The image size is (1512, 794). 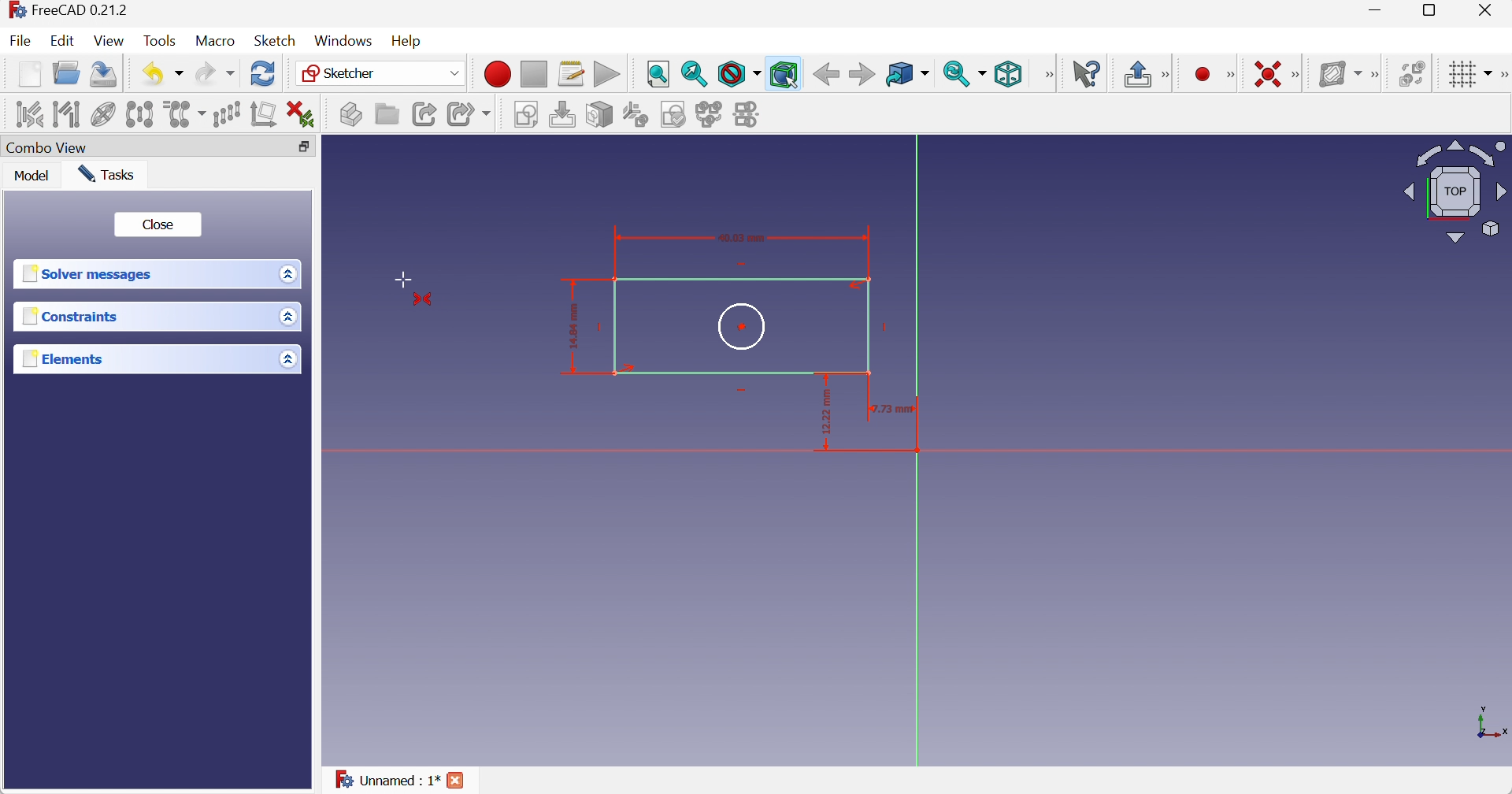 I want to click on Unnamed : 1*, so click(x=387, y=777).